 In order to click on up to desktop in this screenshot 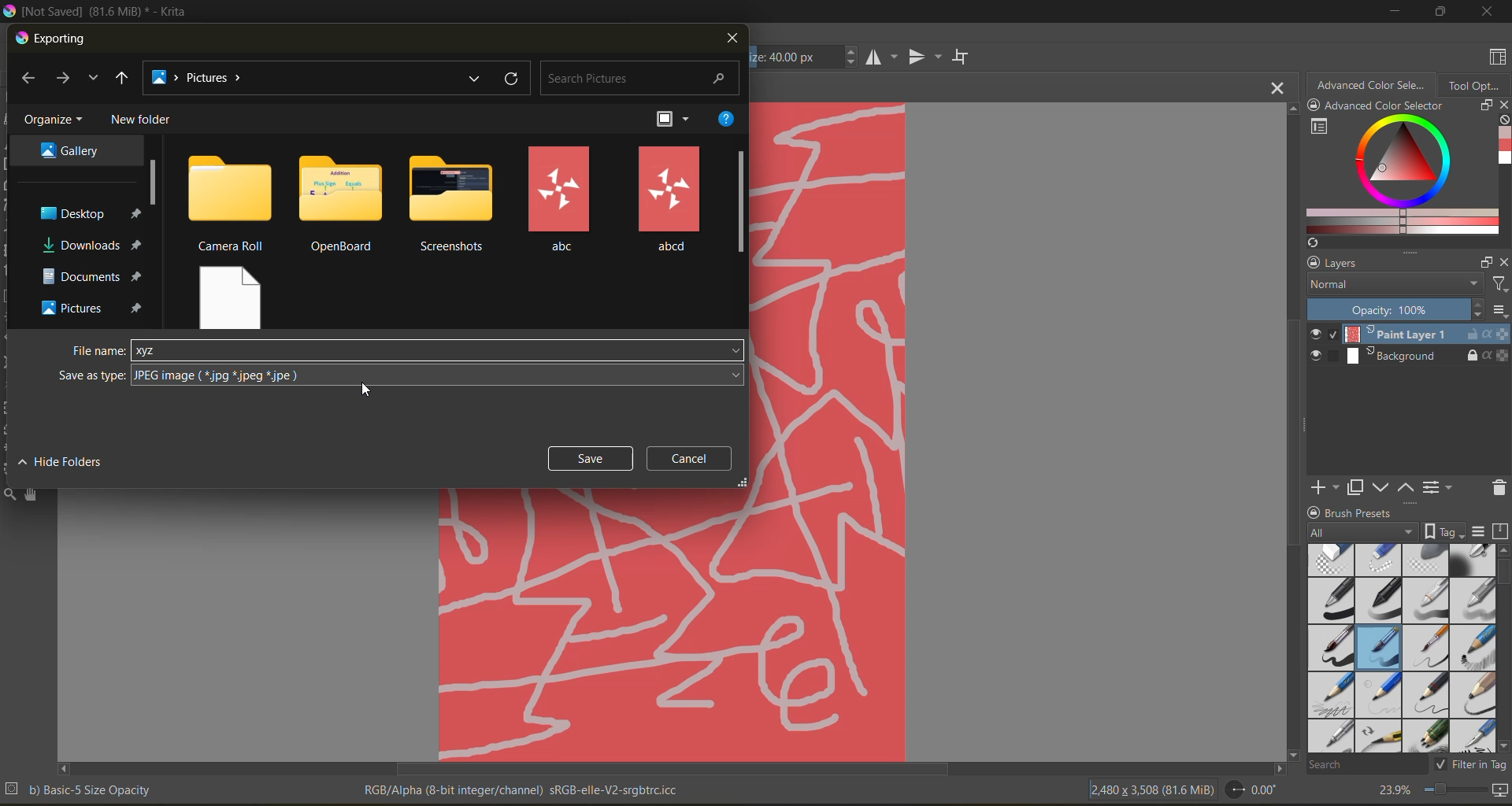, I will do `click(122, 80)`.